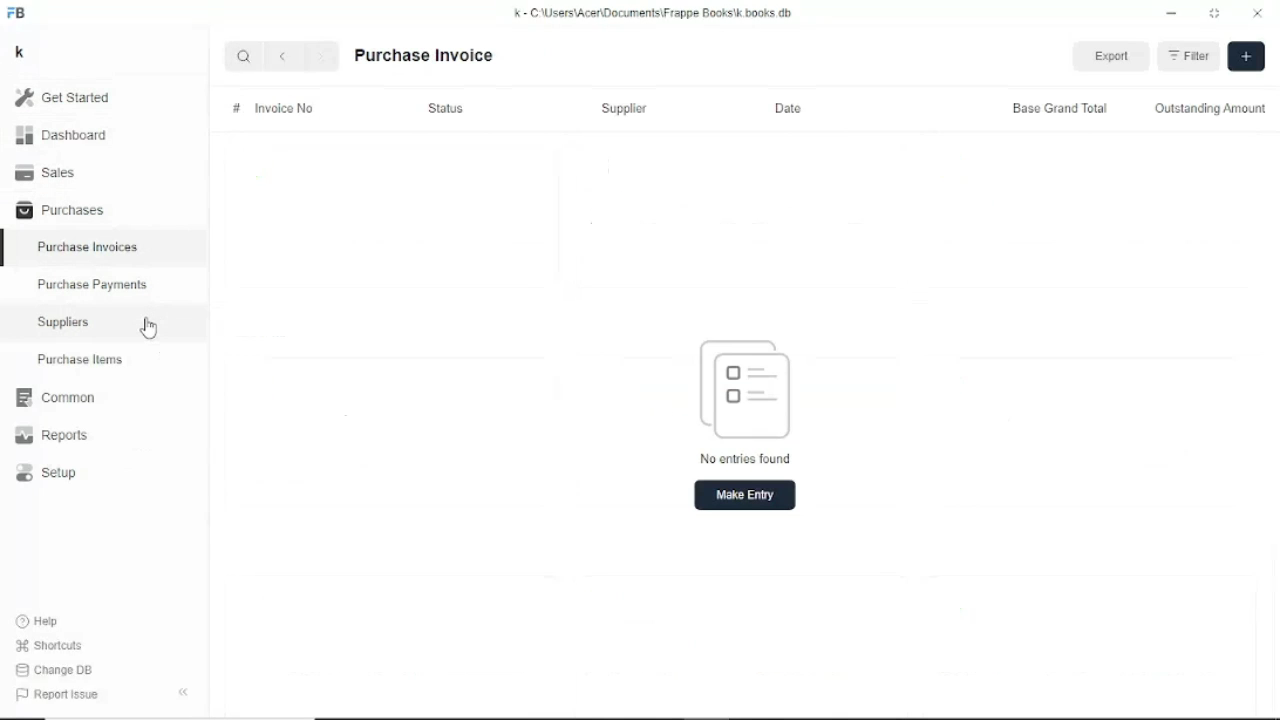  What do you see at coordinates (39, 620) in the screenshot?
I see `Help` at bounding box center [39, 620].